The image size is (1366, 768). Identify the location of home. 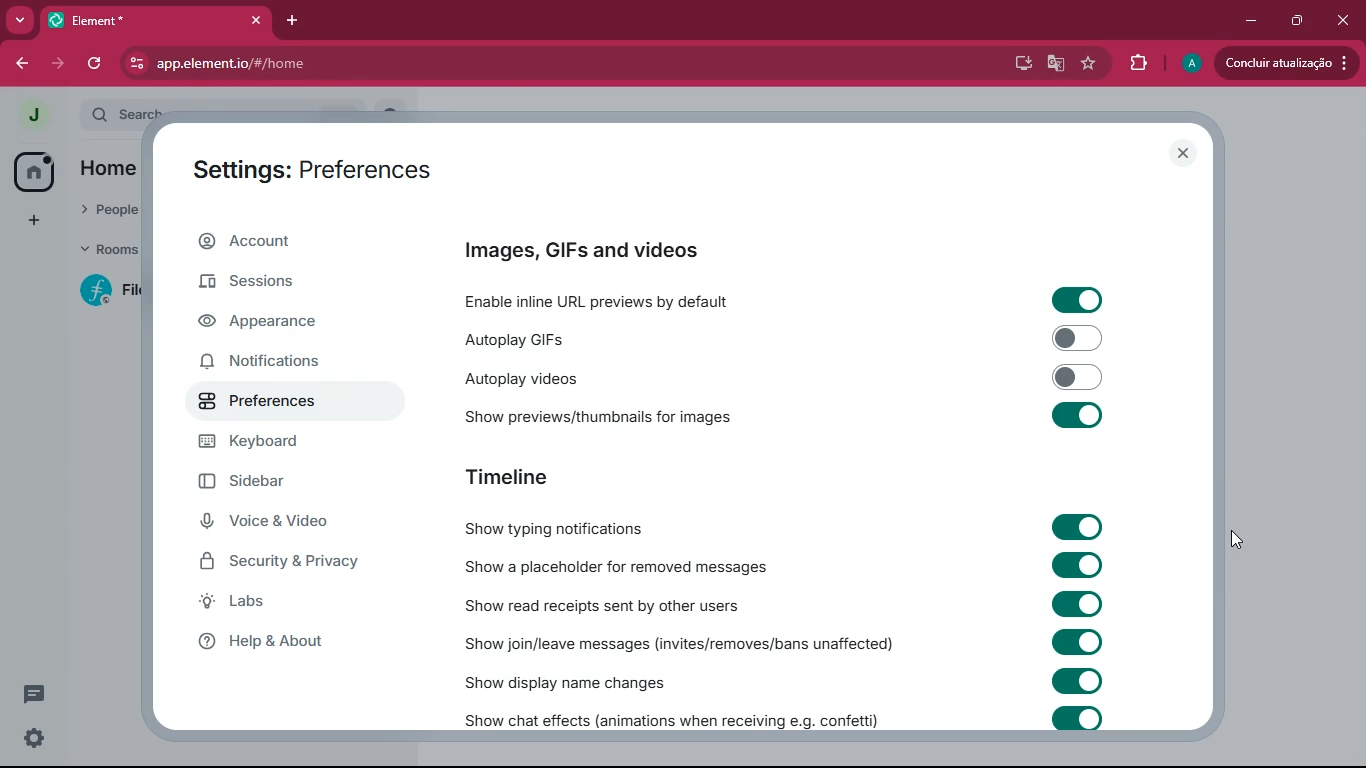
(34, 172).